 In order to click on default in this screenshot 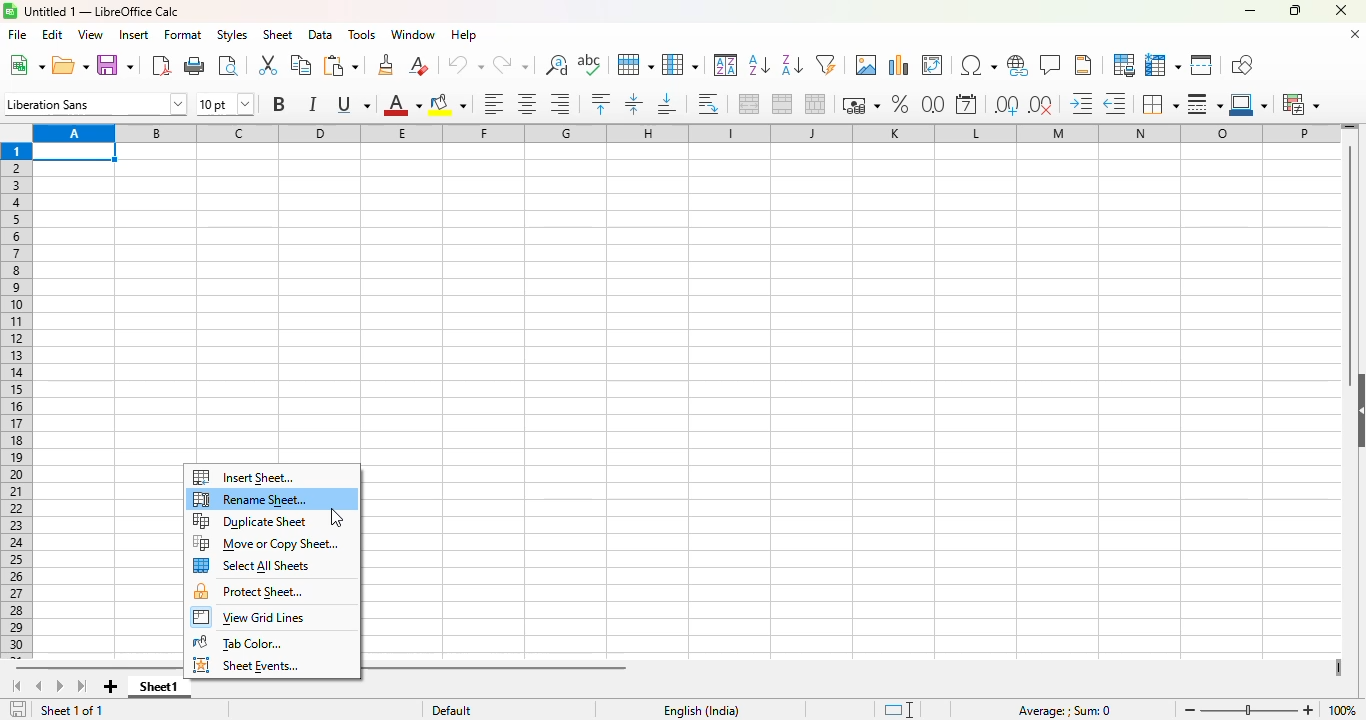, I will do `click(452, 710)`.